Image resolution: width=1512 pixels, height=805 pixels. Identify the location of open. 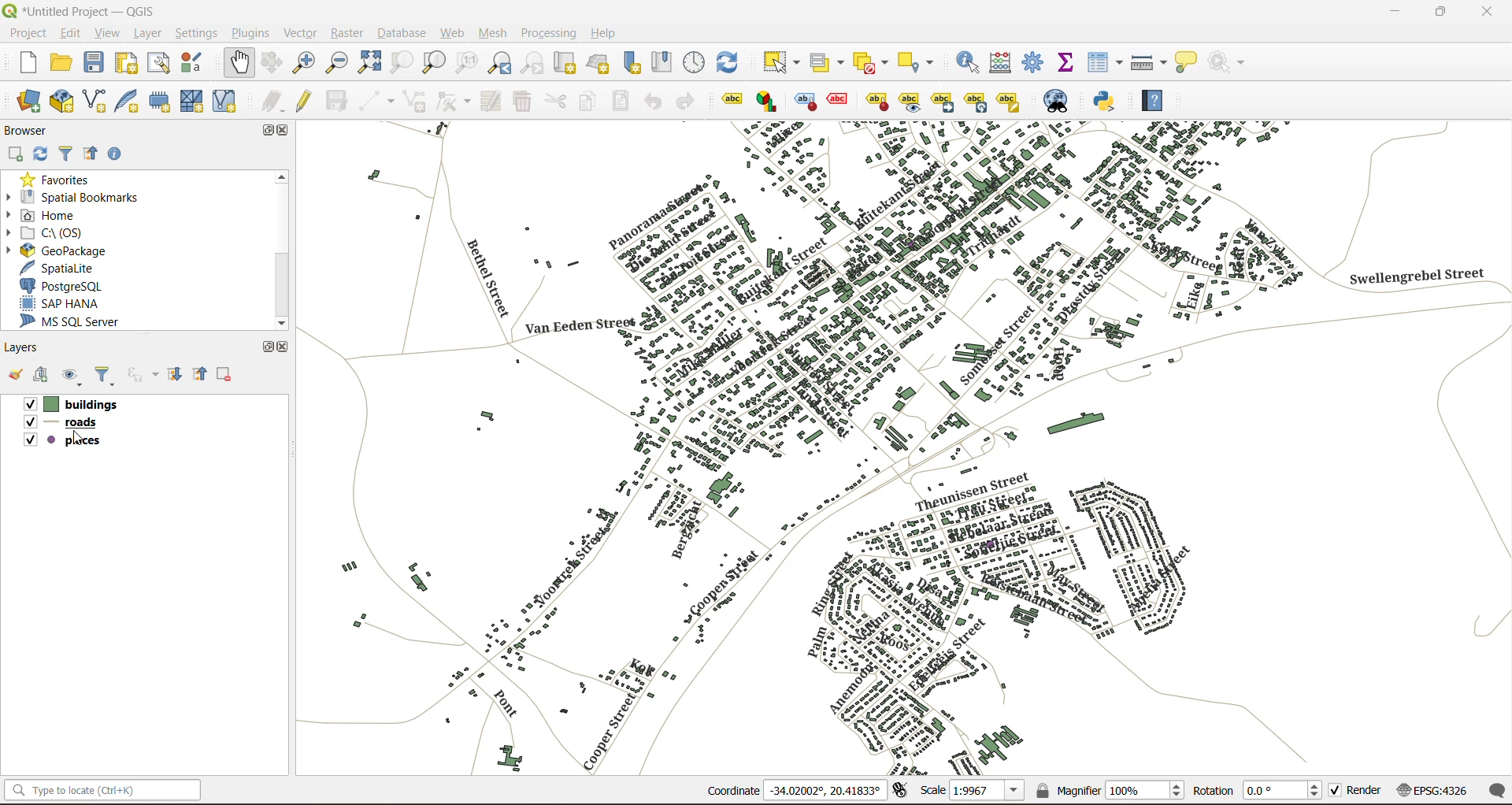
(13, 373).